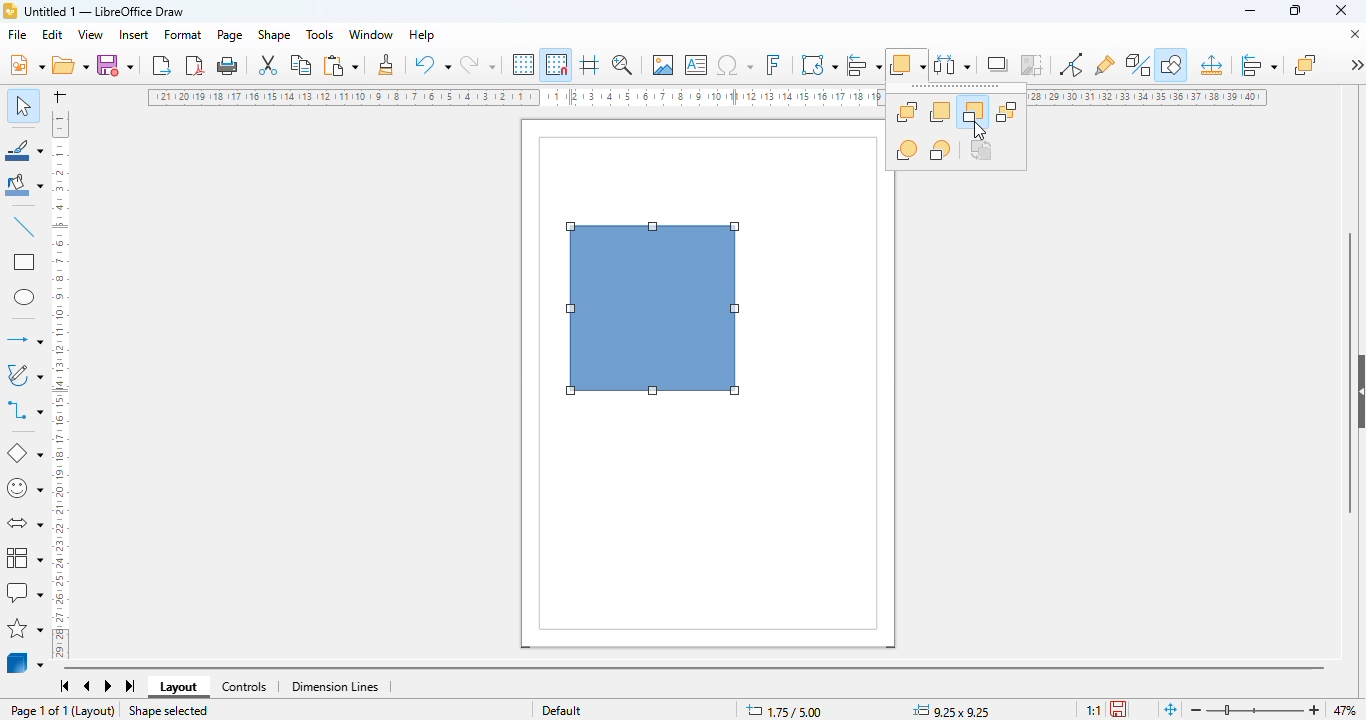  Describe the element at coordinates (95, 711) in the screenshot. I see `(layout)` at that location.